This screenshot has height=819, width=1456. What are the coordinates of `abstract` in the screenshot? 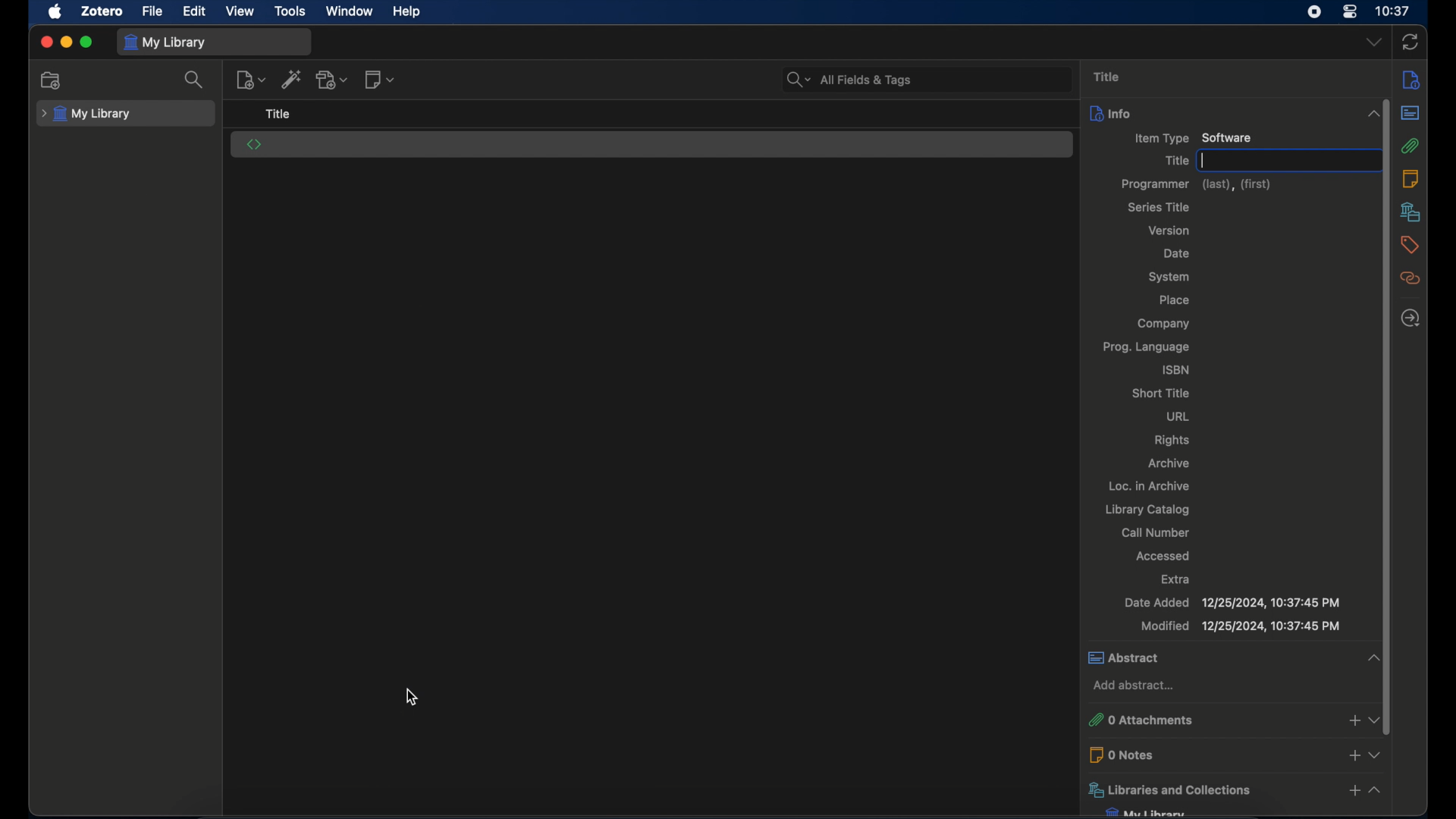 It's located at (1411, 115).